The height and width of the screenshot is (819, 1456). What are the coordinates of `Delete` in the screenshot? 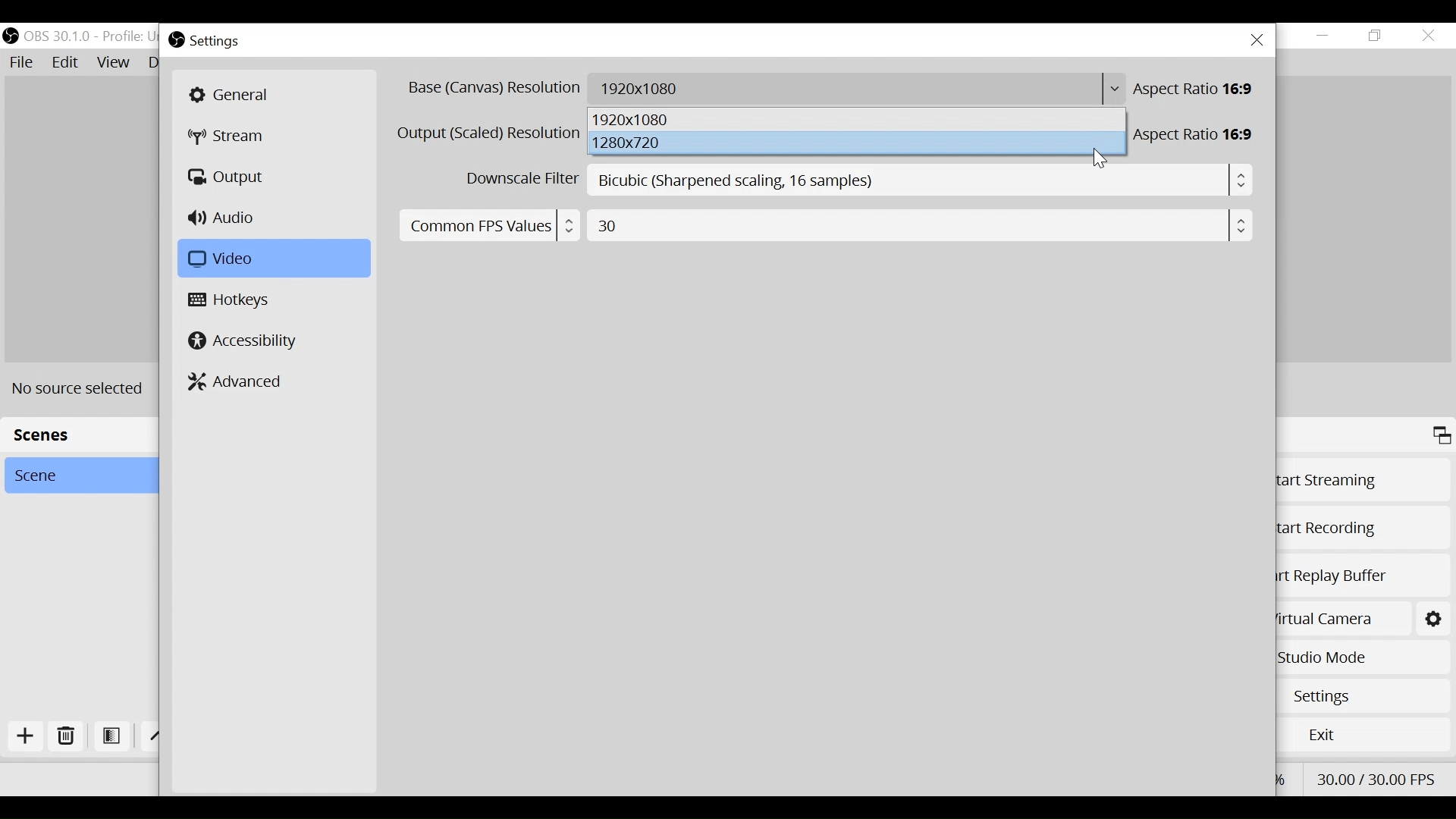 It's located at (66, 739).